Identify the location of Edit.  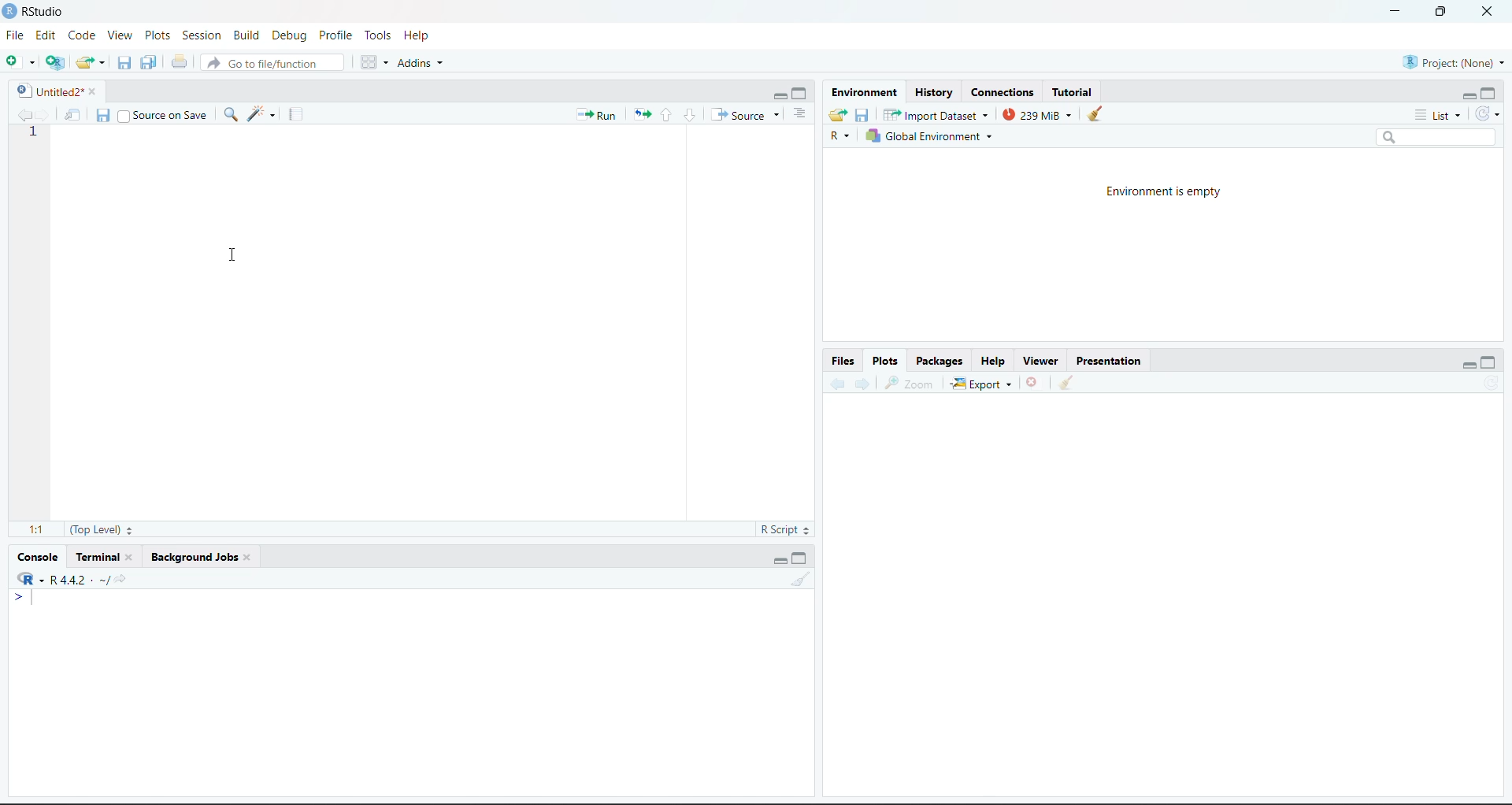
(50, 35).